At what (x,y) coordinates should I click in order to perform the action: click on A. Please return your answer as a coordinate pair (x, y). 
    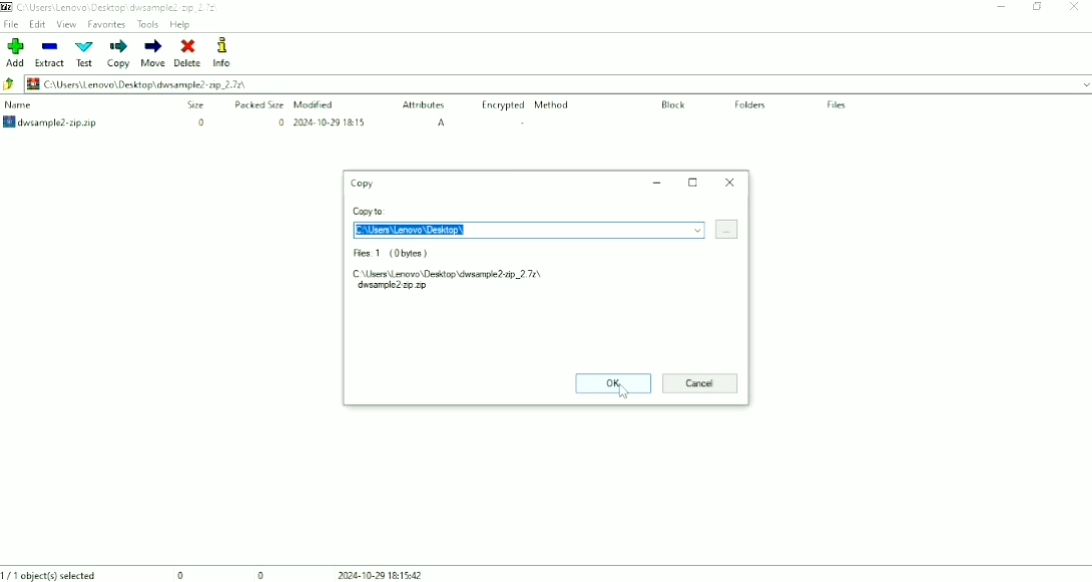
    Looking at the image, I should click on (443, 123).